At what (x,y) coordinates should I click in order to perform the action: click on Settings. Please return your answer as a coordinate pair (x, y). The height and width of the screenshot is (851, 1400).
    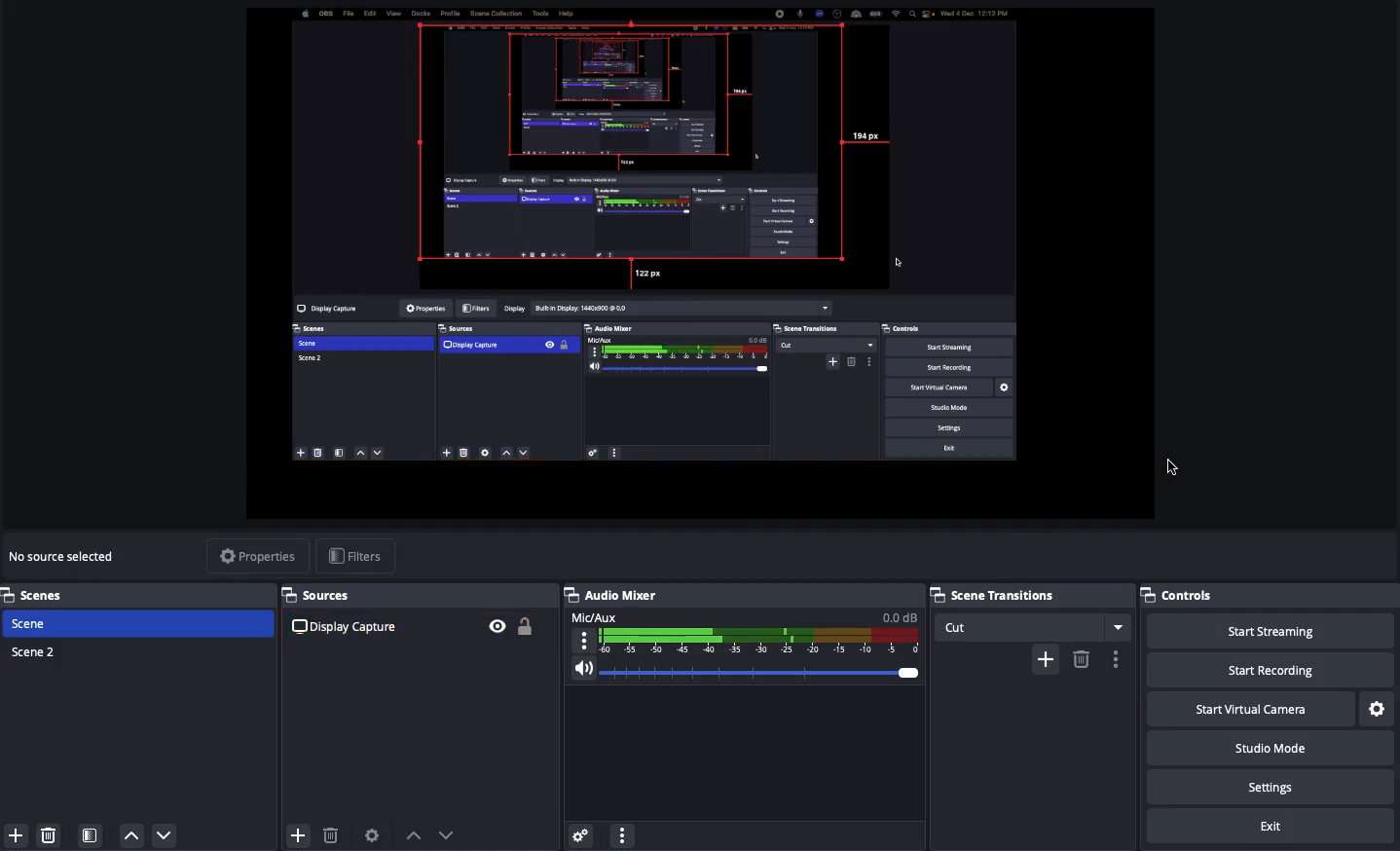
    Looking at the image, I should click on (1379, 707).